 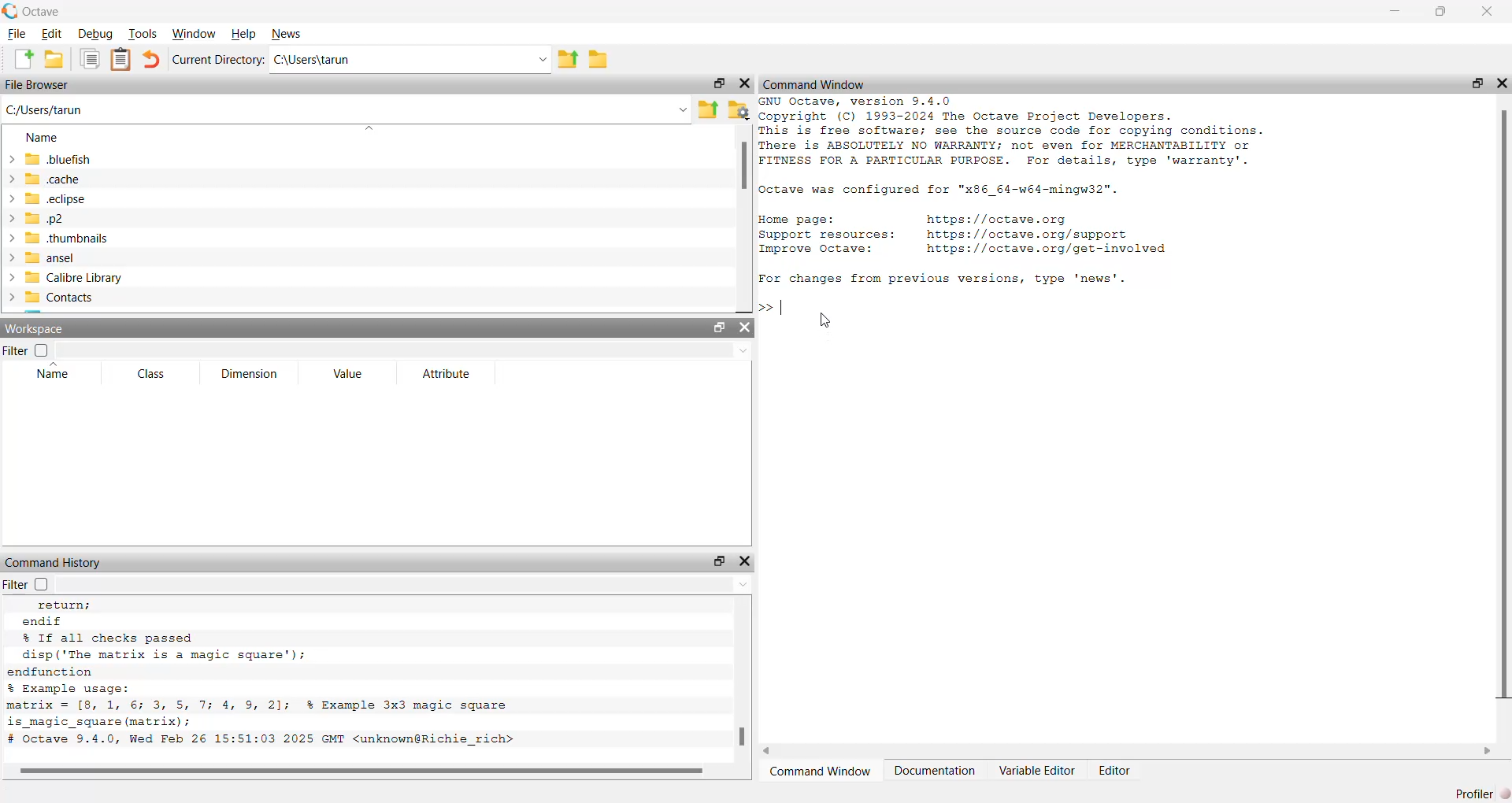 What do you see at coordinates (1504, 407) in the screenshot?
I see `scroll bar` at bounding box center [1504, 407].